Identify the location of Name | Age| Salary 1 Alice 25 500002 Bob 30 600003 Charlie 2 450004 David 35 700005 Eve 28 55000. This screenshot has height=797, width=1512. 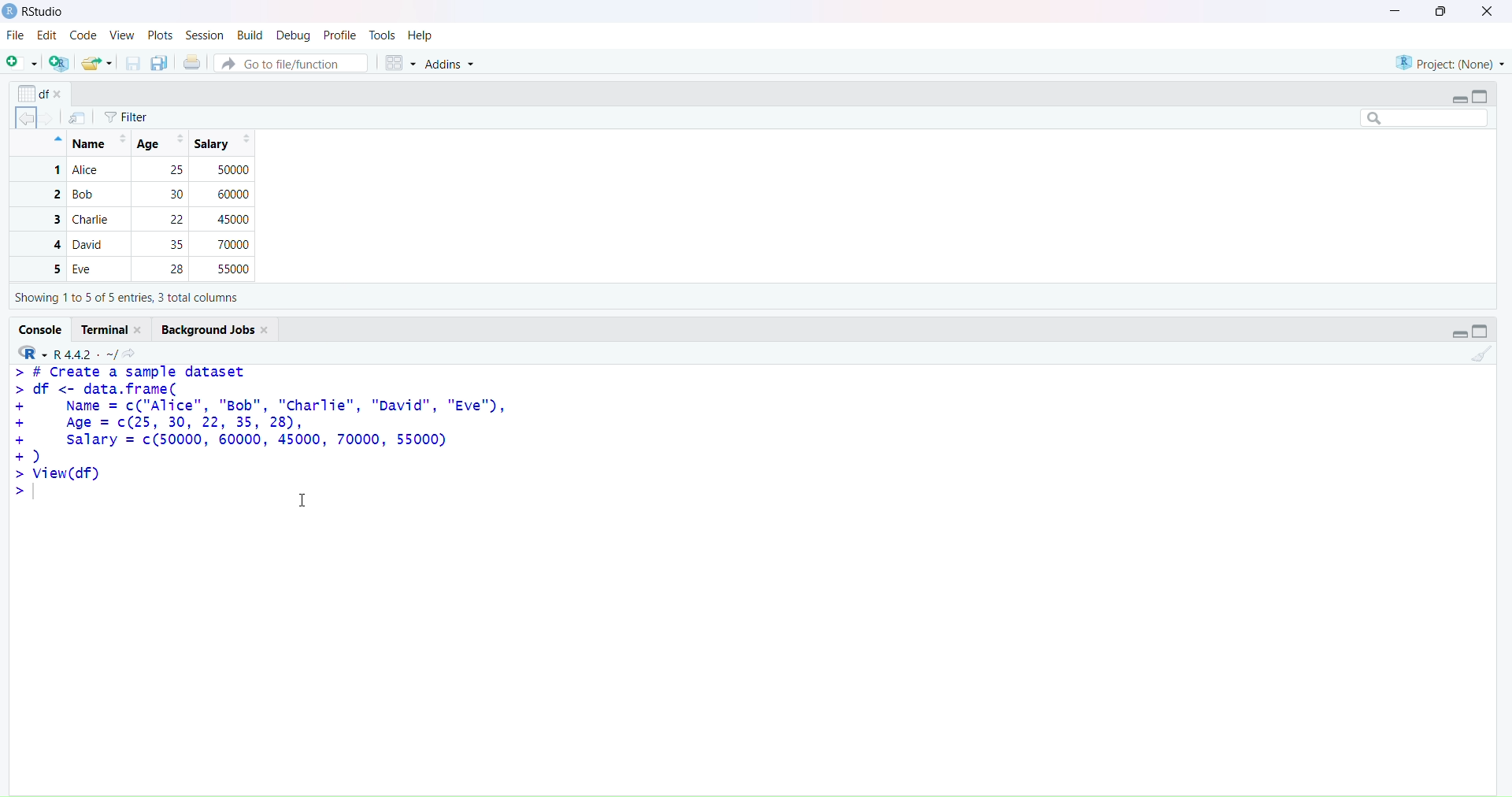
(150, 205).